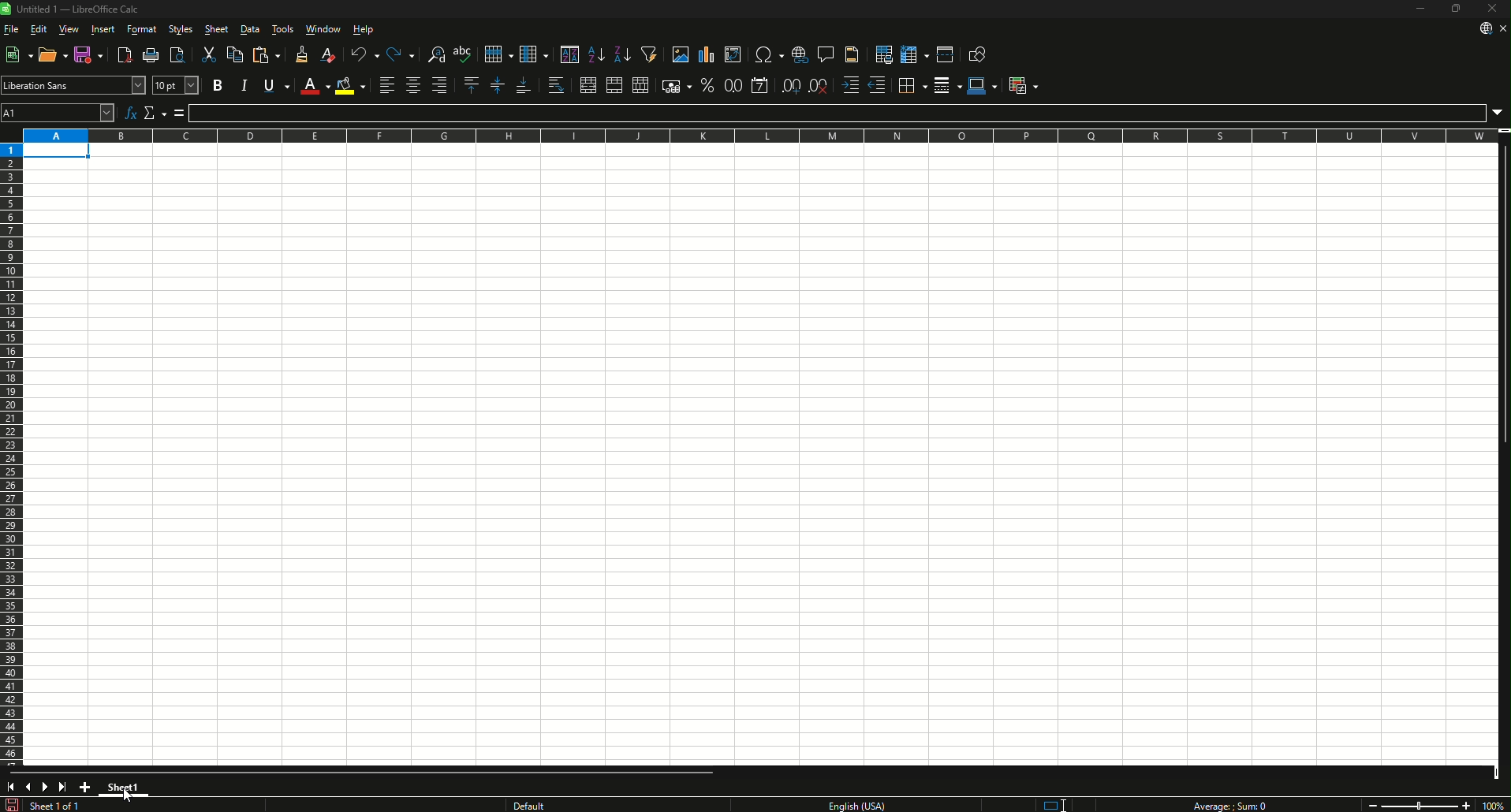  Describe the element at coordinates (103, 28) in the screenshot. I see `Insert` at that location.